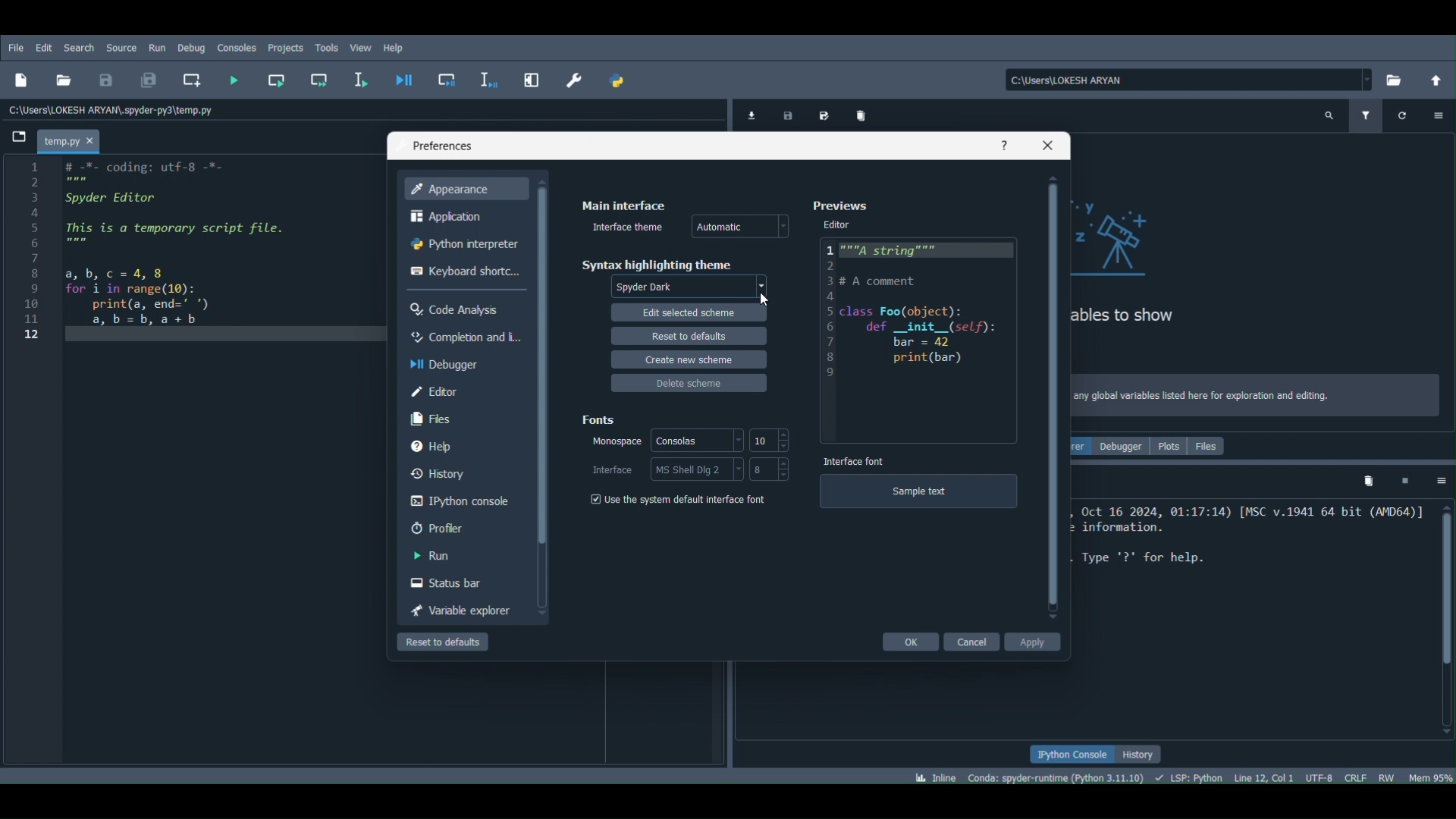 The width and height of the screenshot is (1456, 819). What do you see at coordinates (573, 79) in the screenshot?
I see `Preferences` at bounding box center [573, 79].